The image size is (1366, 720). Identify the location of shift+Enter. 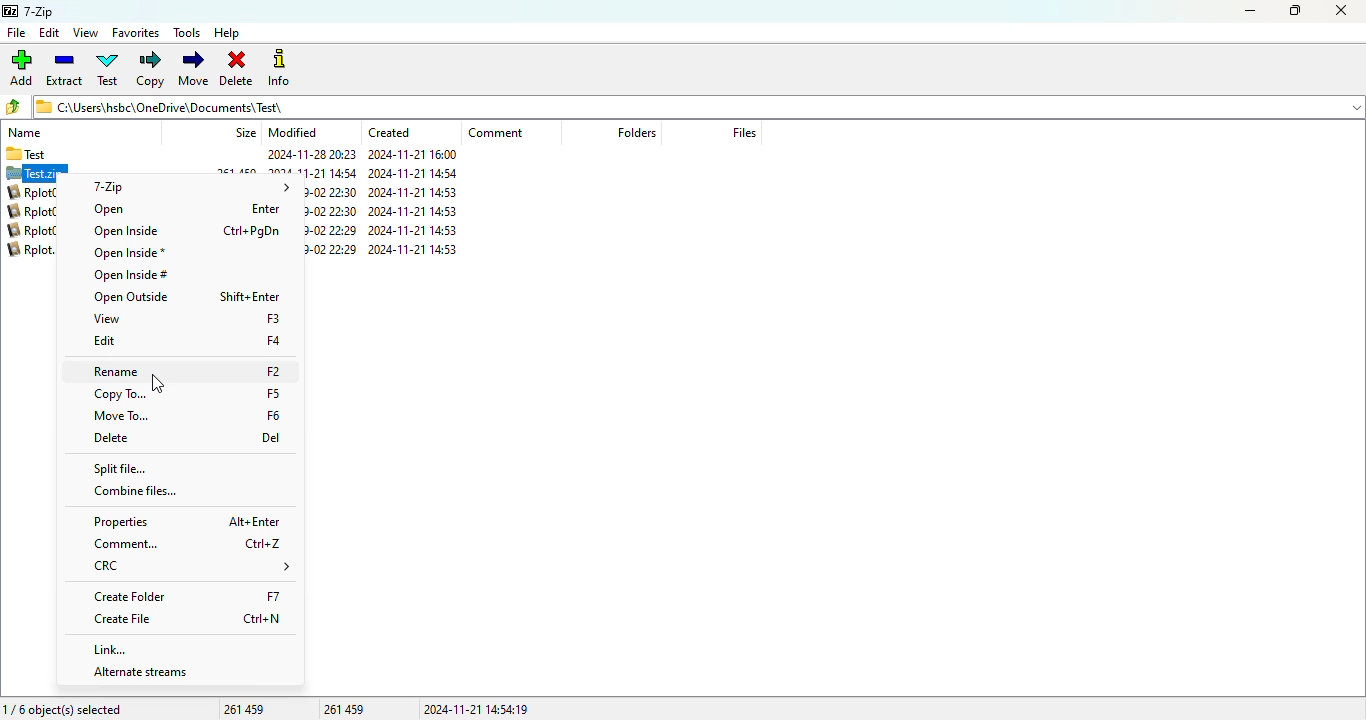
(252, 297).